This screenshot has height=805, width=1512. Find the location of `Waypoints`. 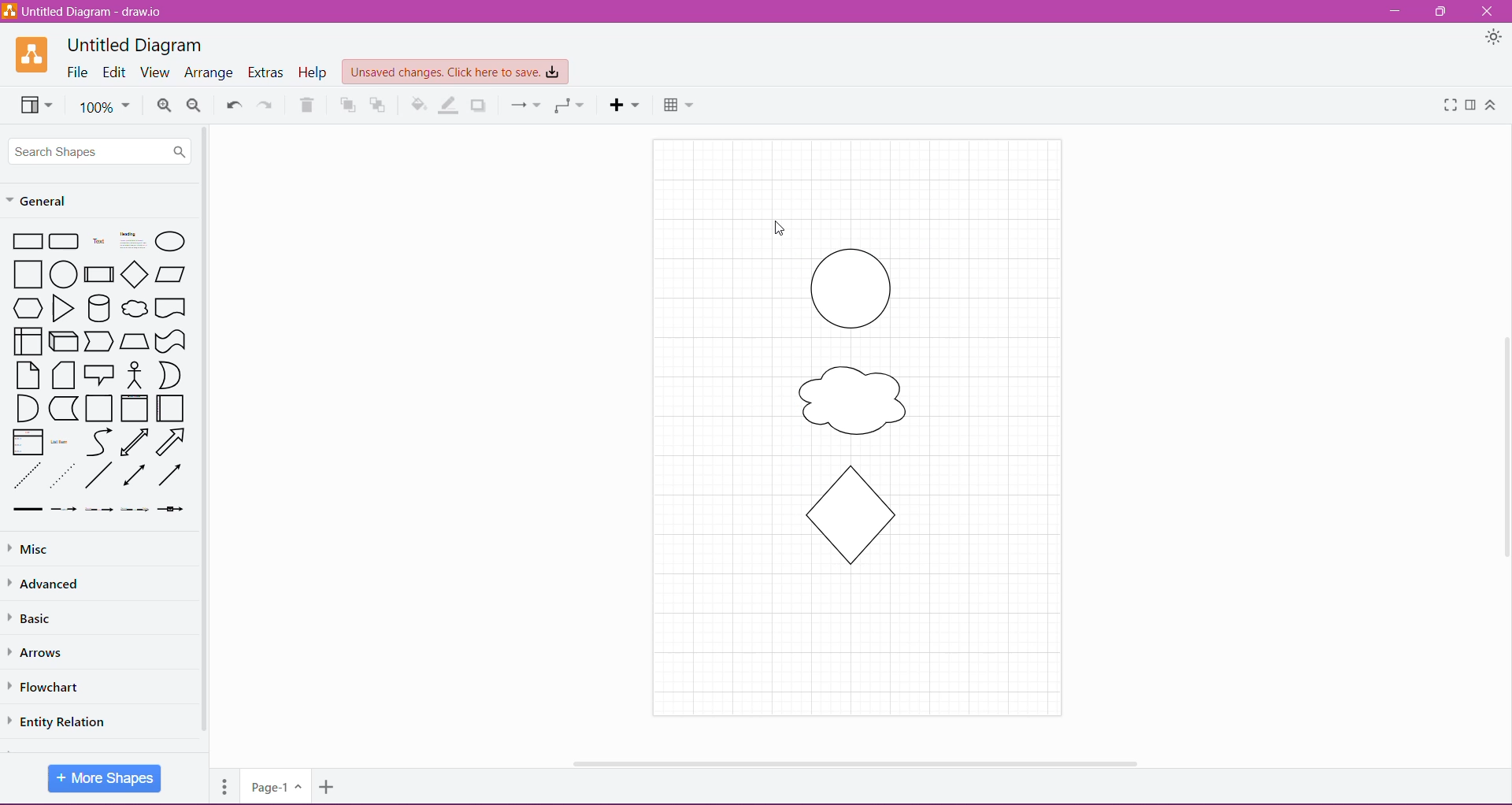

Waypoints is located at coordinates (568, 106).